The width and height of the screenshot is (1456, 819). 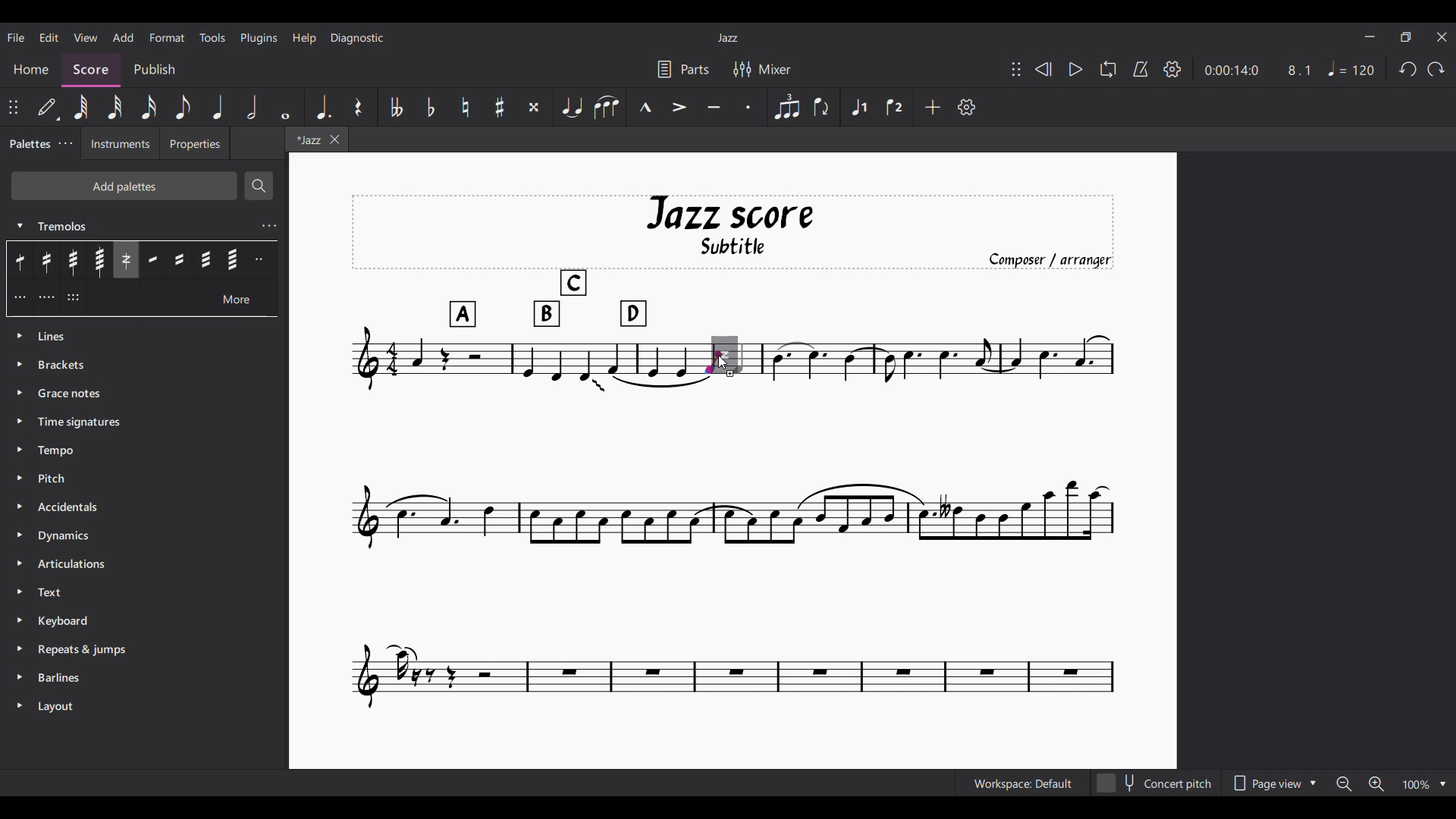 I want to click on Voice 2, so click(x=894, y=106).